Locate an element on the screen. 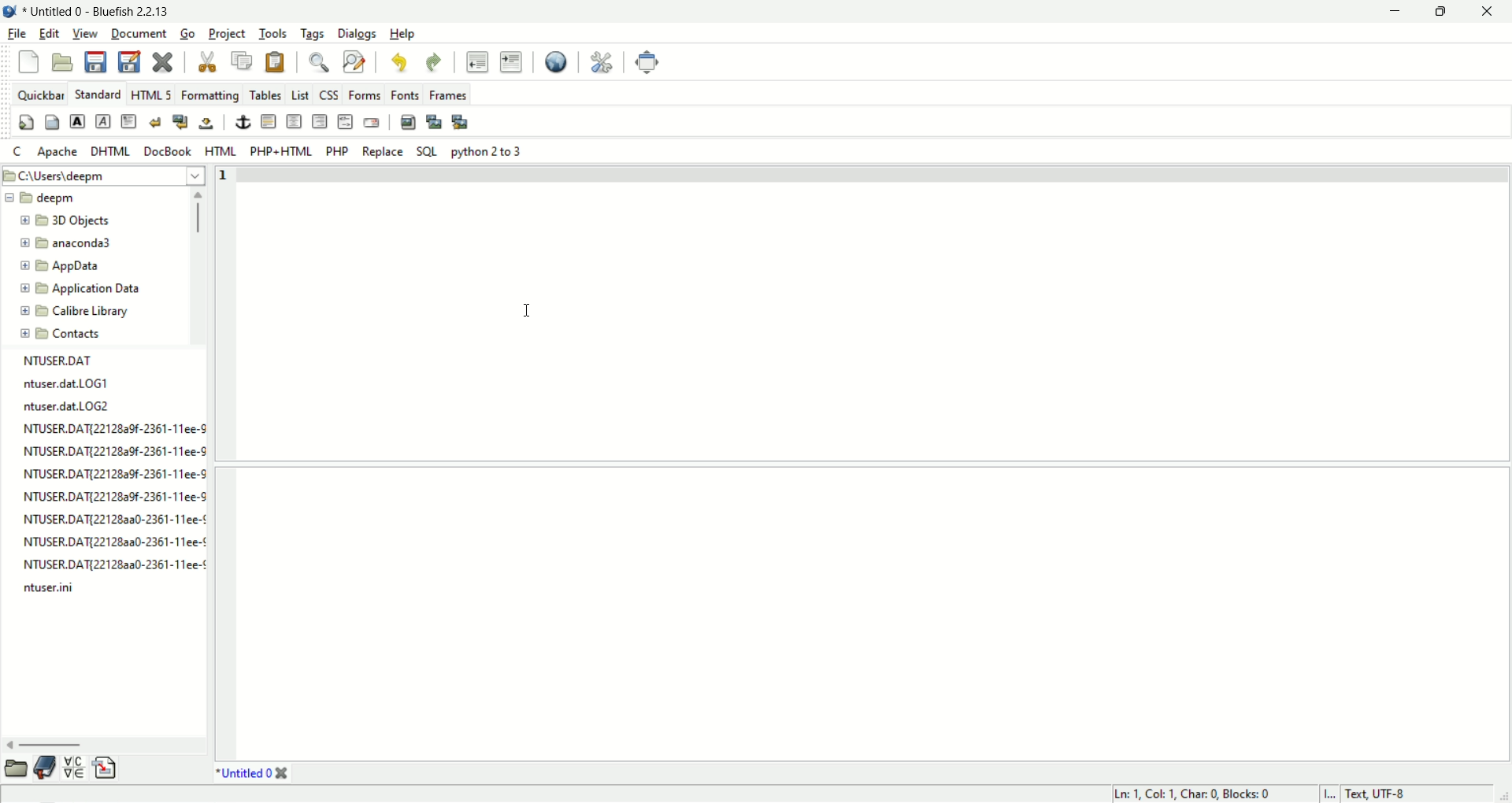 This screenshot has height=803, width=1512. Untitled 0- Bluefish 2.2.13 is located at coordinates (119, 9).